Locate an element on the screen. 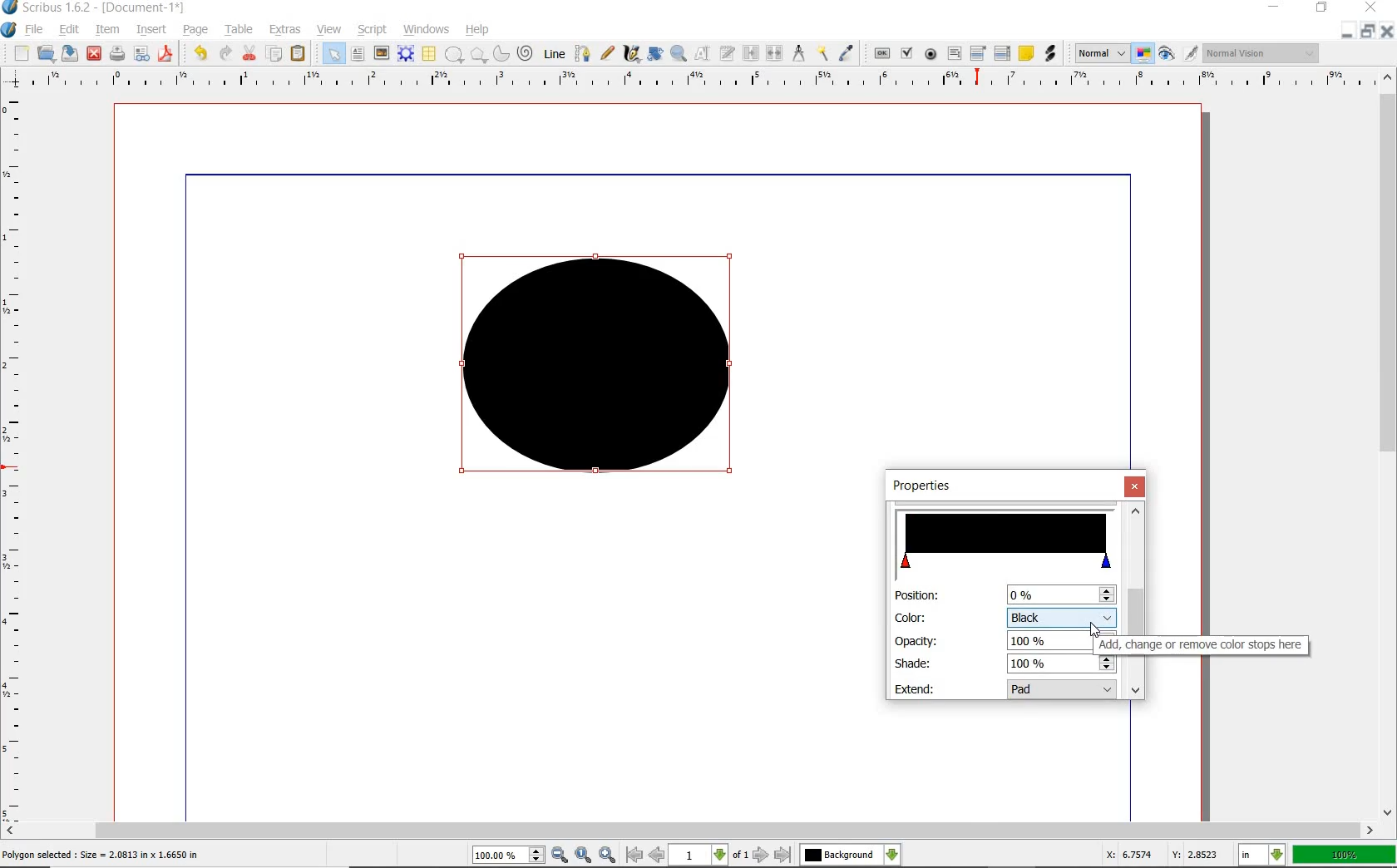 This screenshot has height=868, width=1397. LINK TEXT FRAME is located at coordinates (751, 52).